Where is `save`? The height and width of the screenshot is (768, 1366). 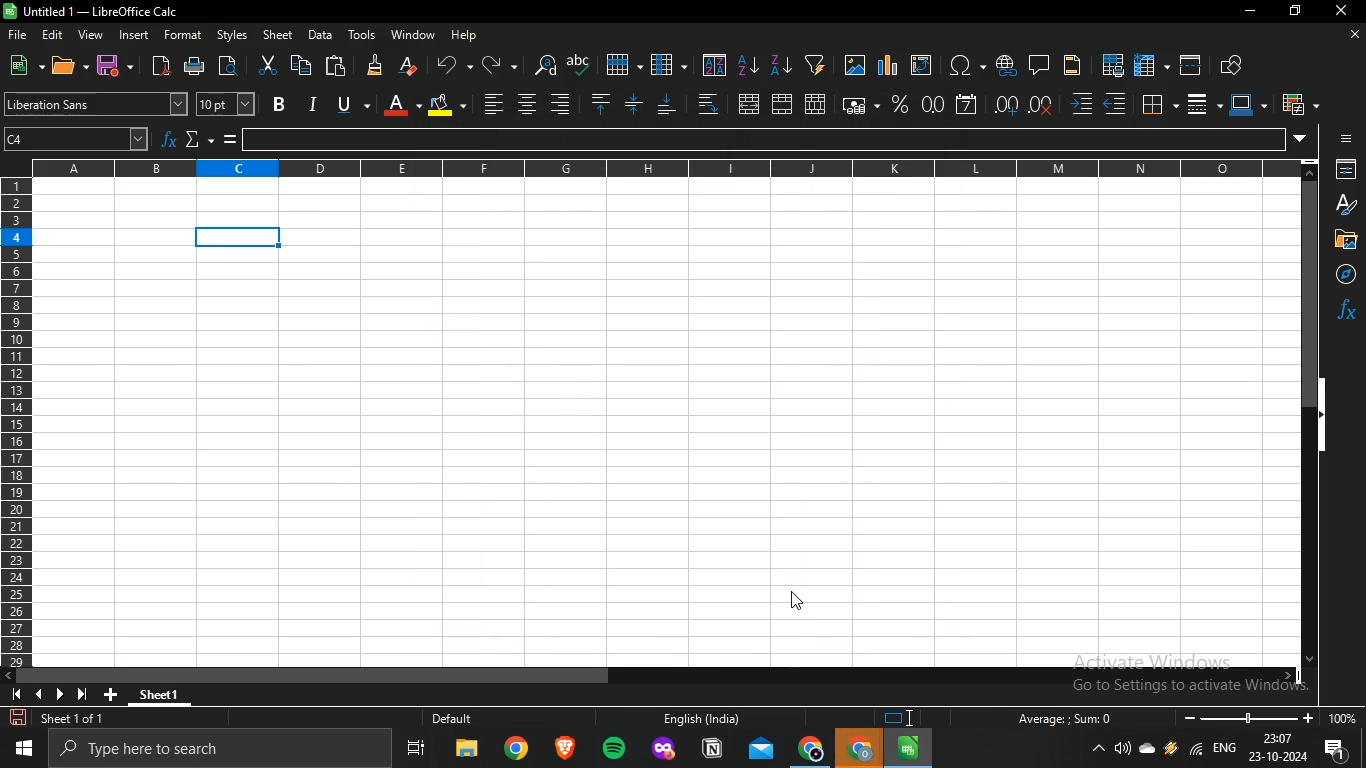 save is located at coordinates (110, 64).